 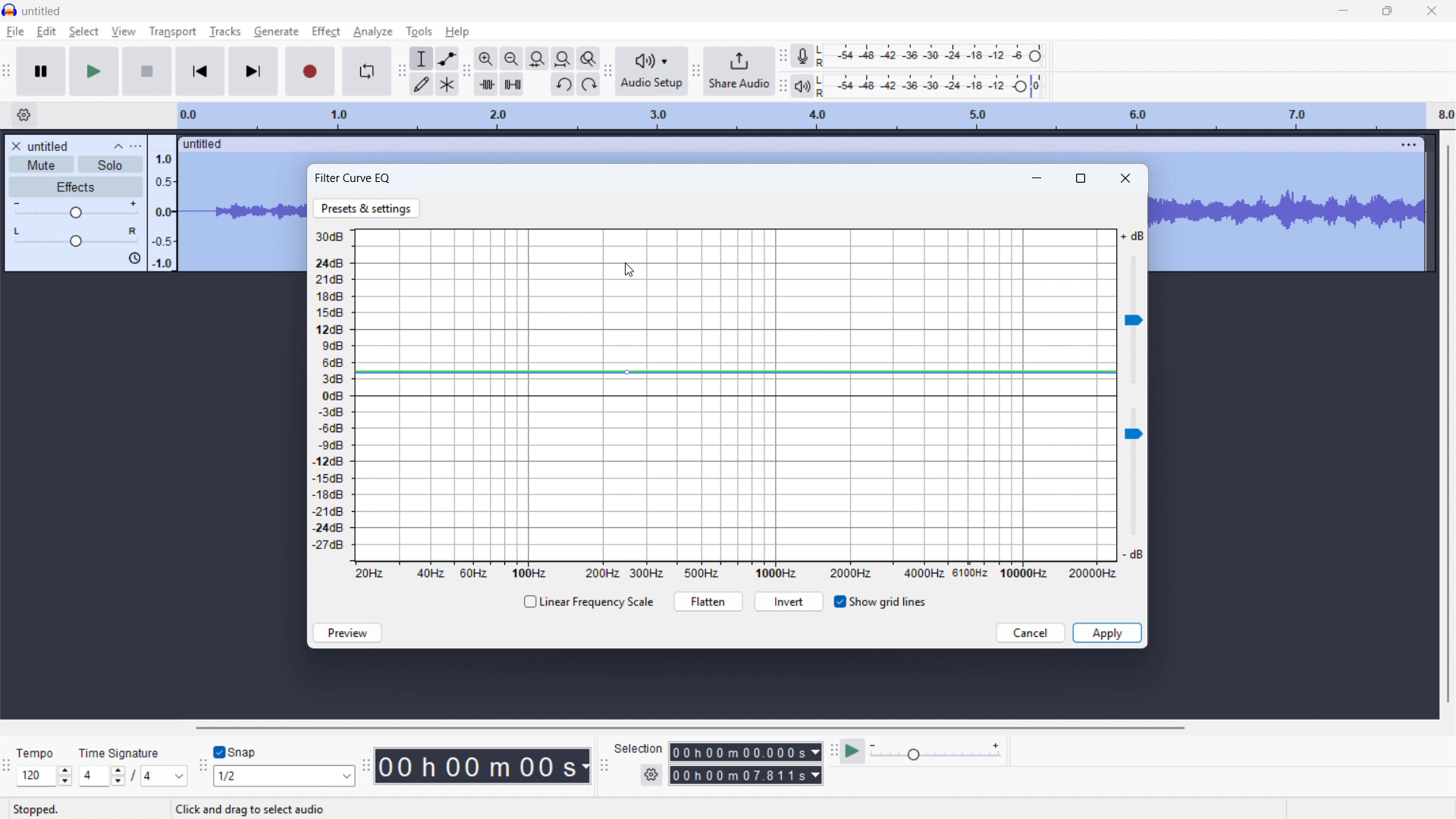 What do you see at coordinates (134, 776) in the screenshot?
I see `set Time signature` at bounding box center [134, 776].